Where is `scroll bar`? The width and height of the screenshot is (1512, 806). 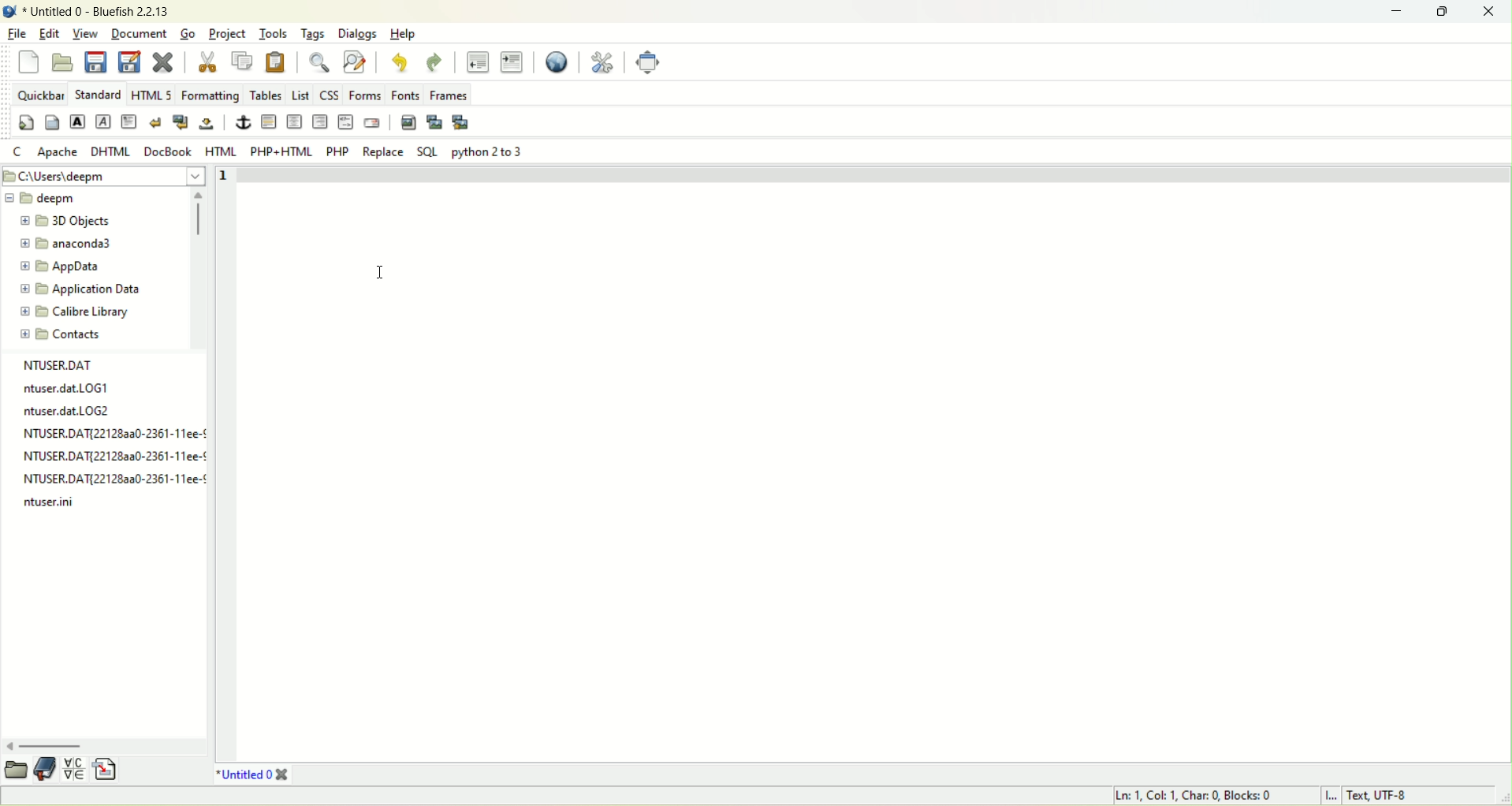 scroll bar is located at coordinates (200, 268).